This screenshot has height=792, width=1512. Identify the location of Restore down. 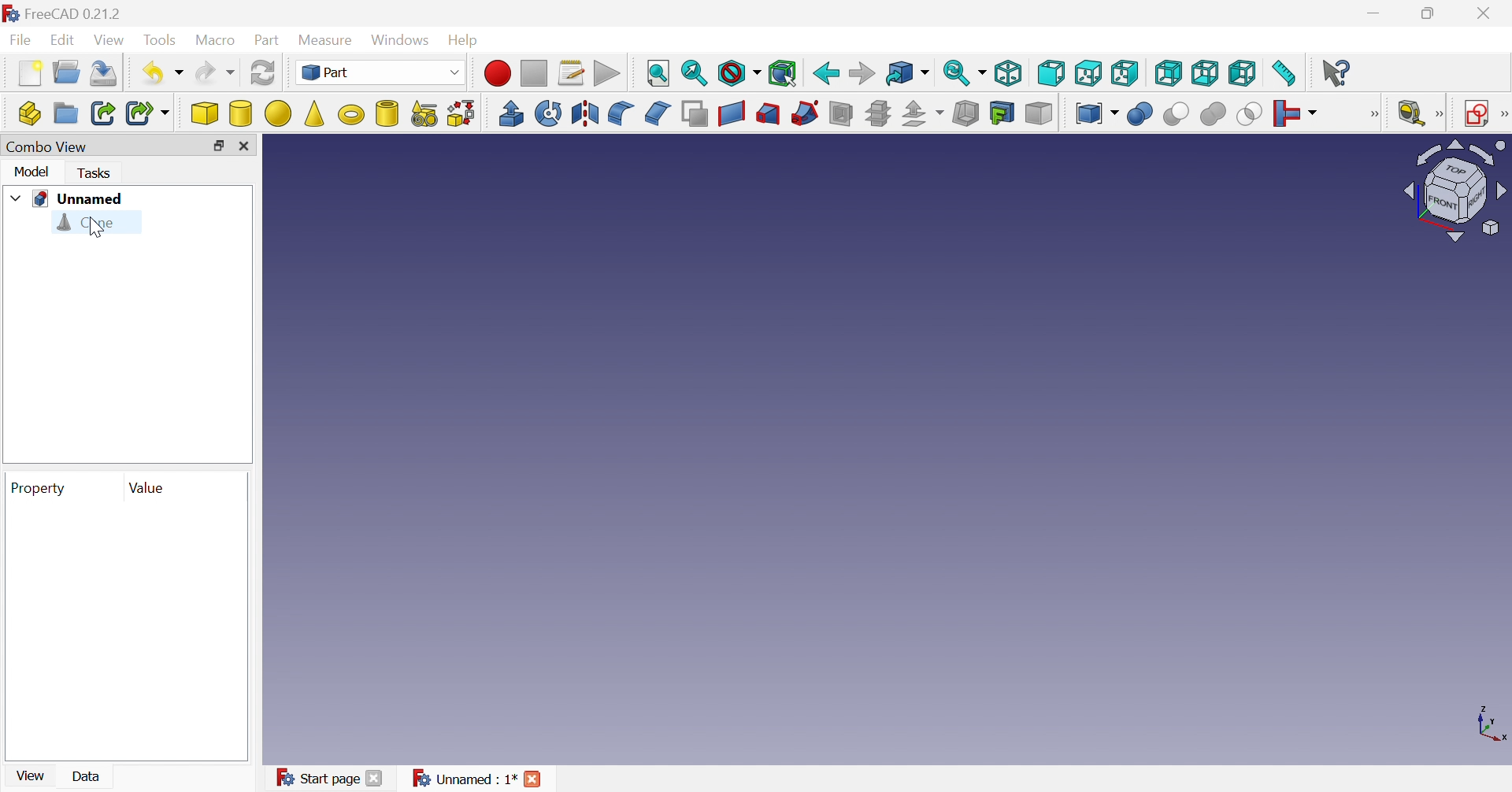
(1429, 15).